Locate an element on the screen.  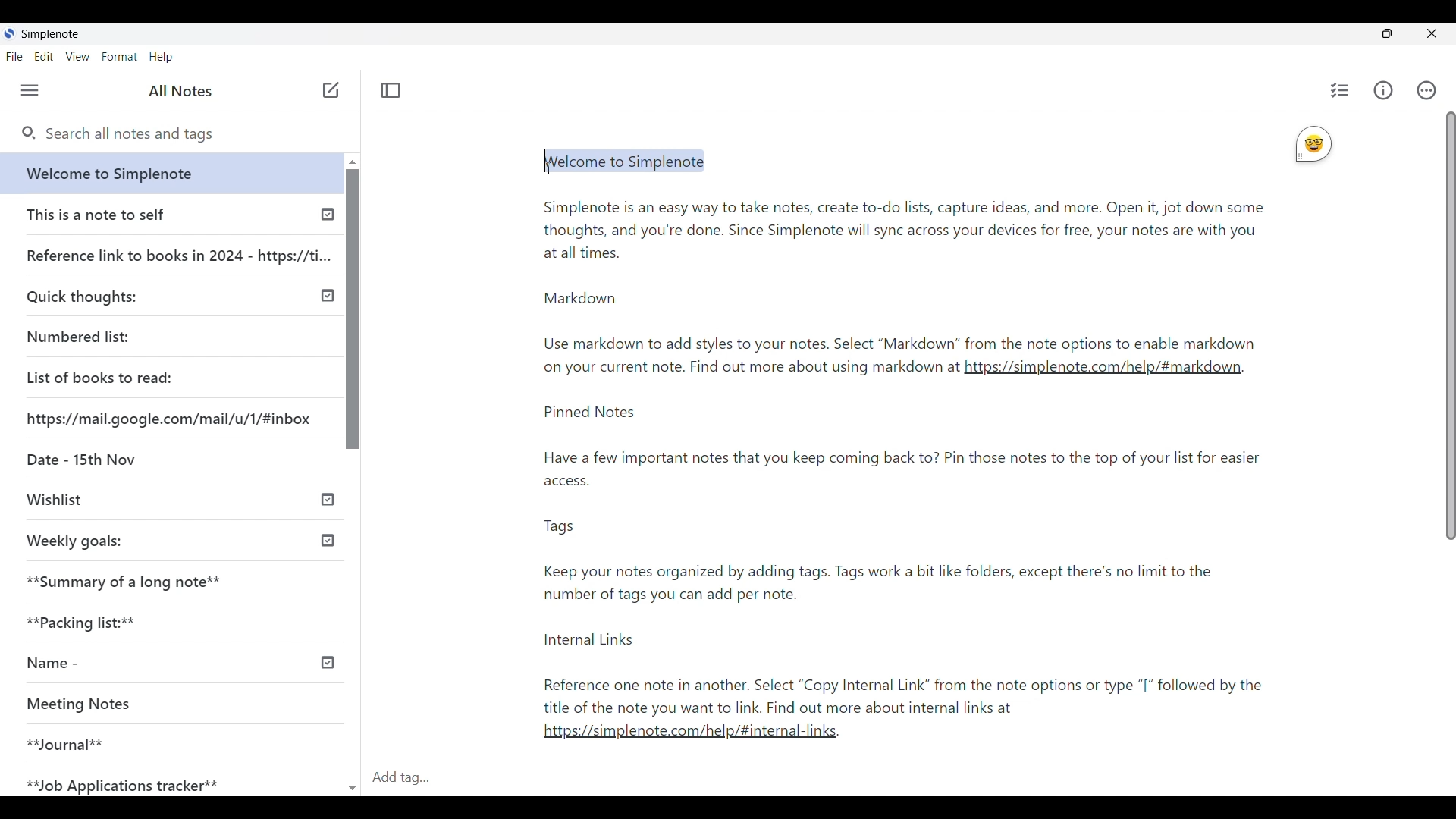
Info is located at coordinates (1383, 90).